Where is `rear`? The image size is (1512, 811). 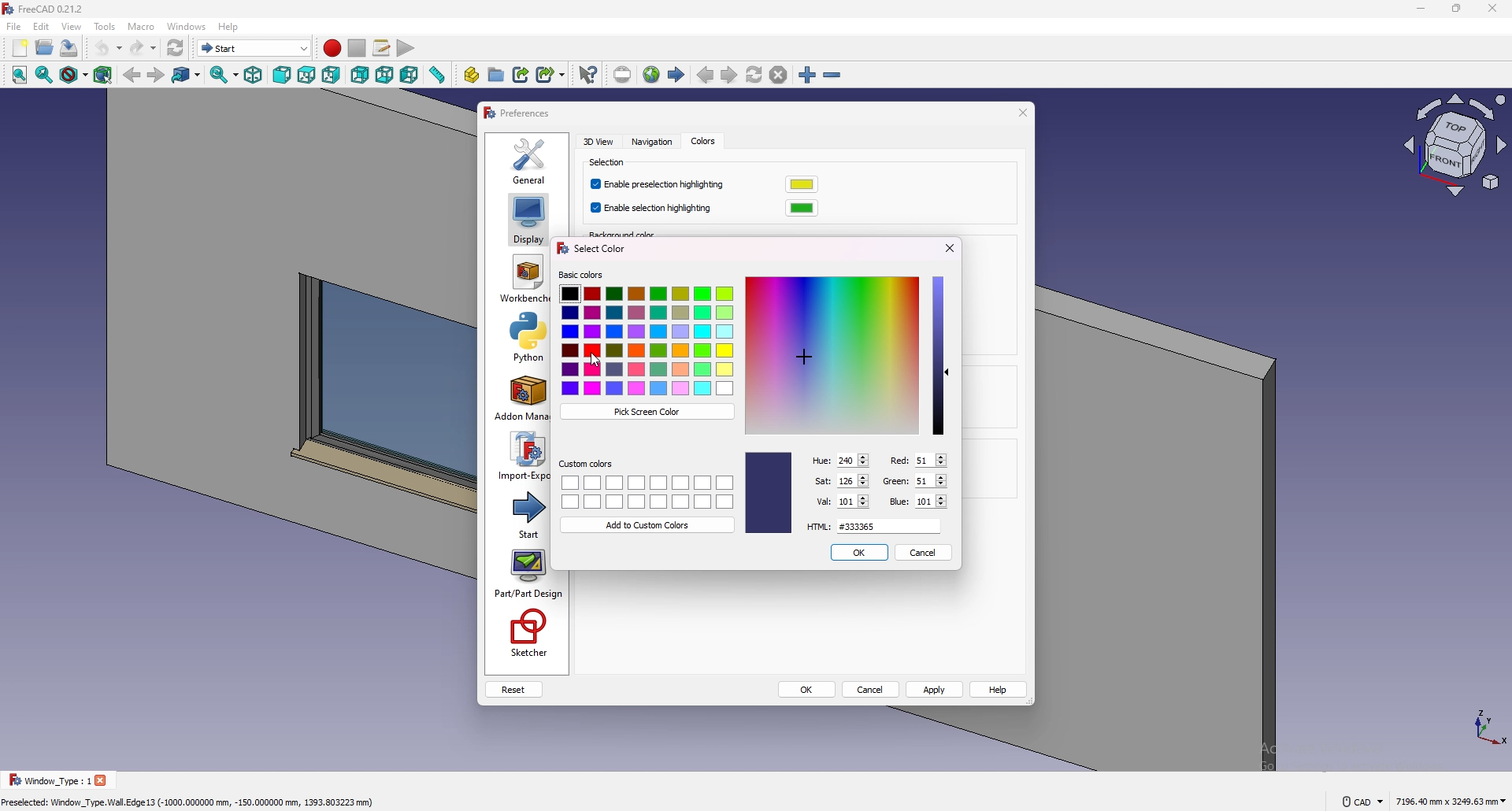 rear is located at coordinates (360, 76).